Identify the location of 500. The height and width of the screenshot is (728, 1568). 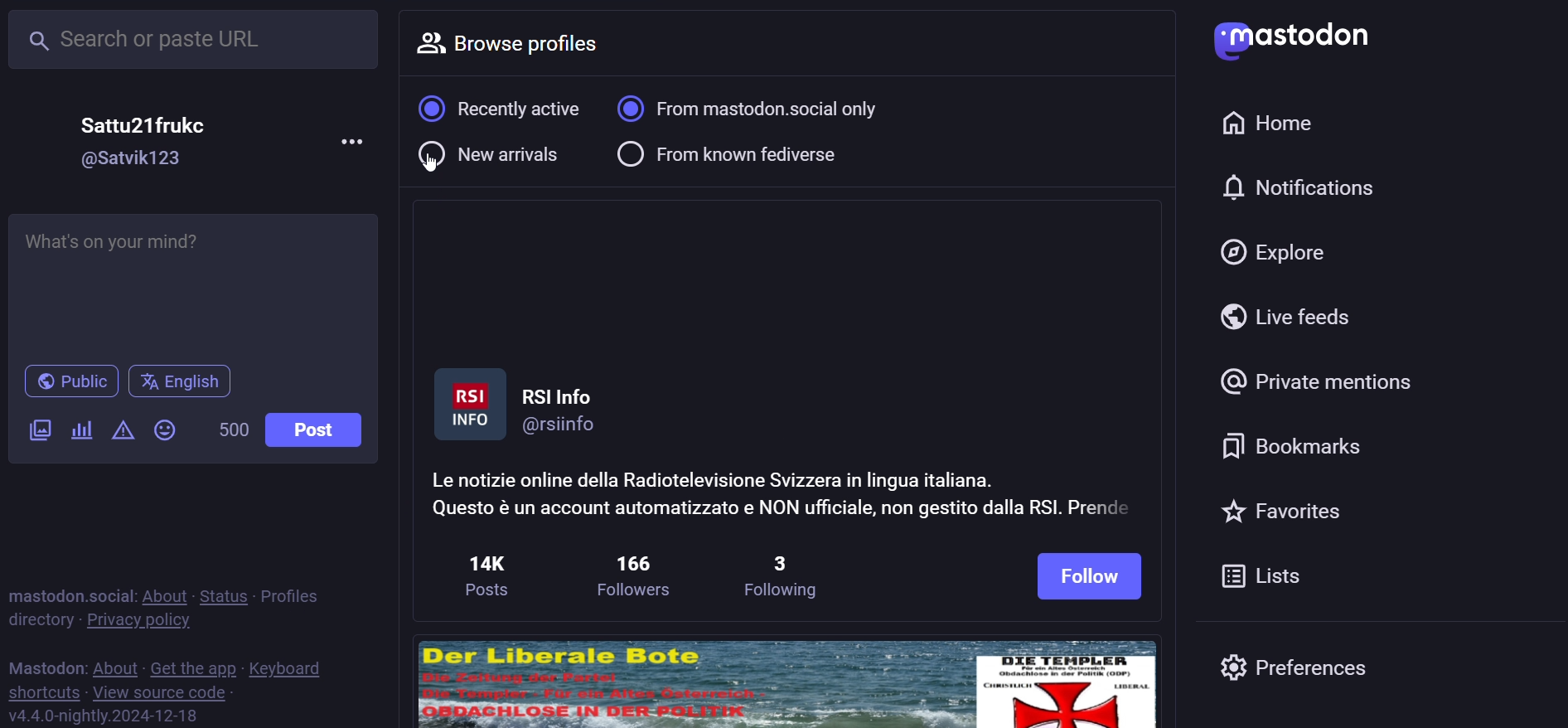
(232, 429).